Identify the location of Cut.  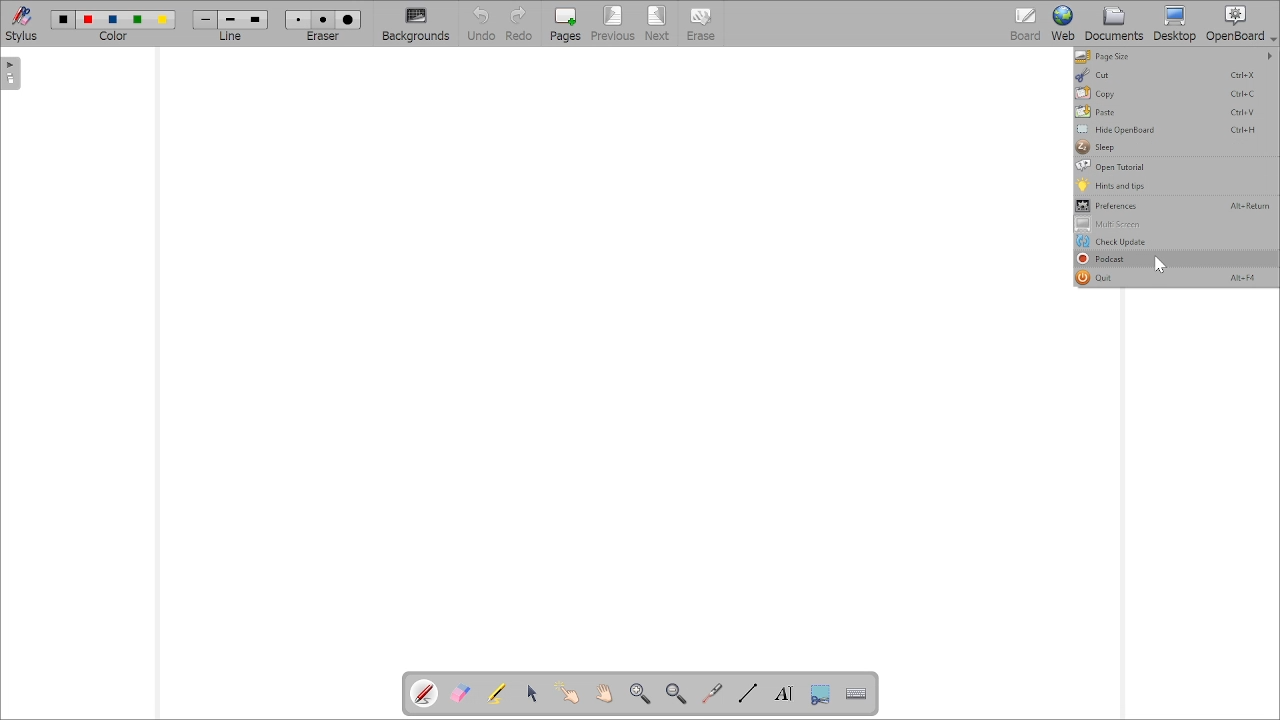
(1173, 75).